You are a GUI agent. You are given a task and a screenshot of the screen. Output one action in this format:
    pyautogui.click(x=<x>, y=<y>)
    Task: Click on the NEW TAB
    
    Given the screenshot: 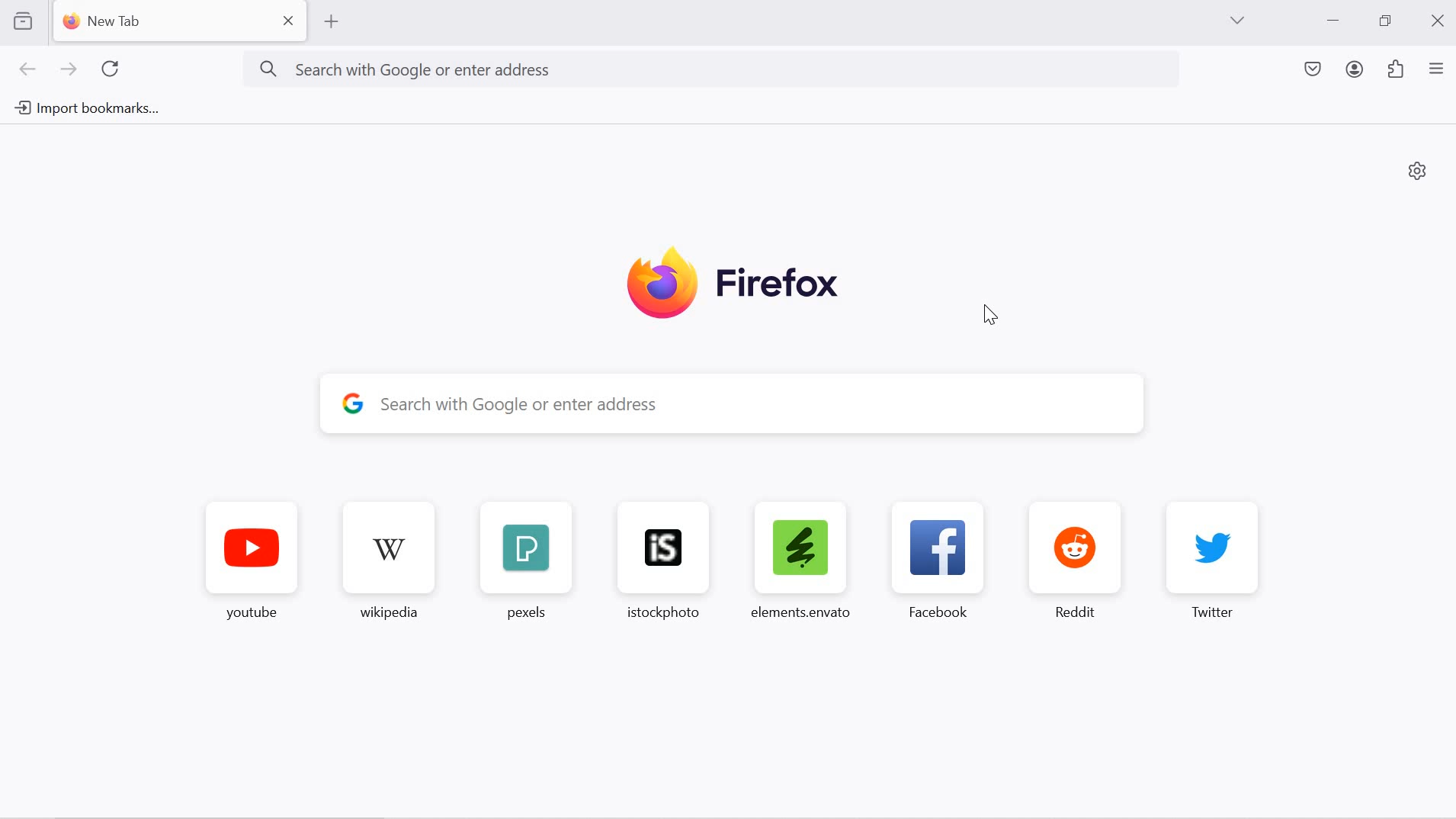 What is the action you would take?
    pyautogui.click(x=160, y=24)
    